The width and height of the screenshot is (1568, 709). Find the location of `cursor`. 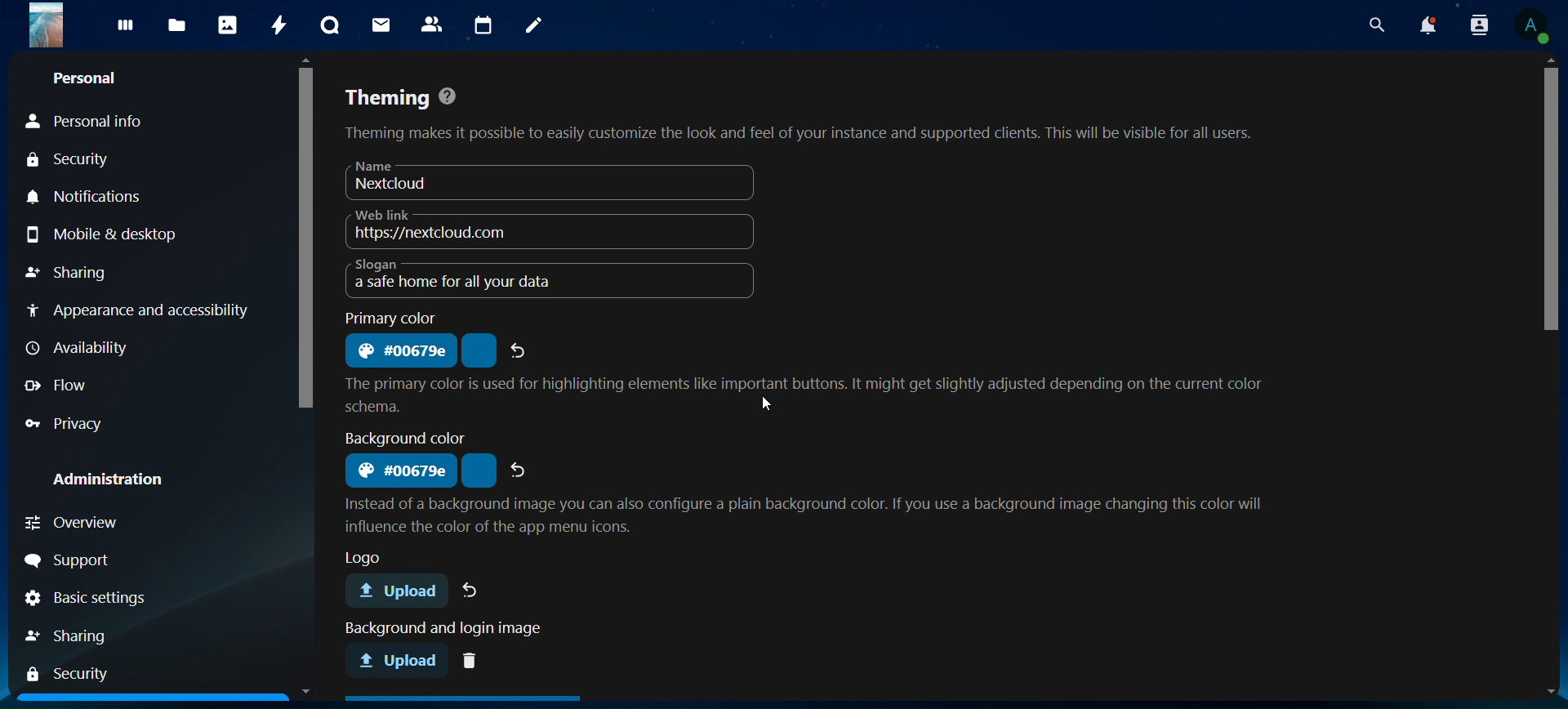

cursor is located at coordinates (766, 407).